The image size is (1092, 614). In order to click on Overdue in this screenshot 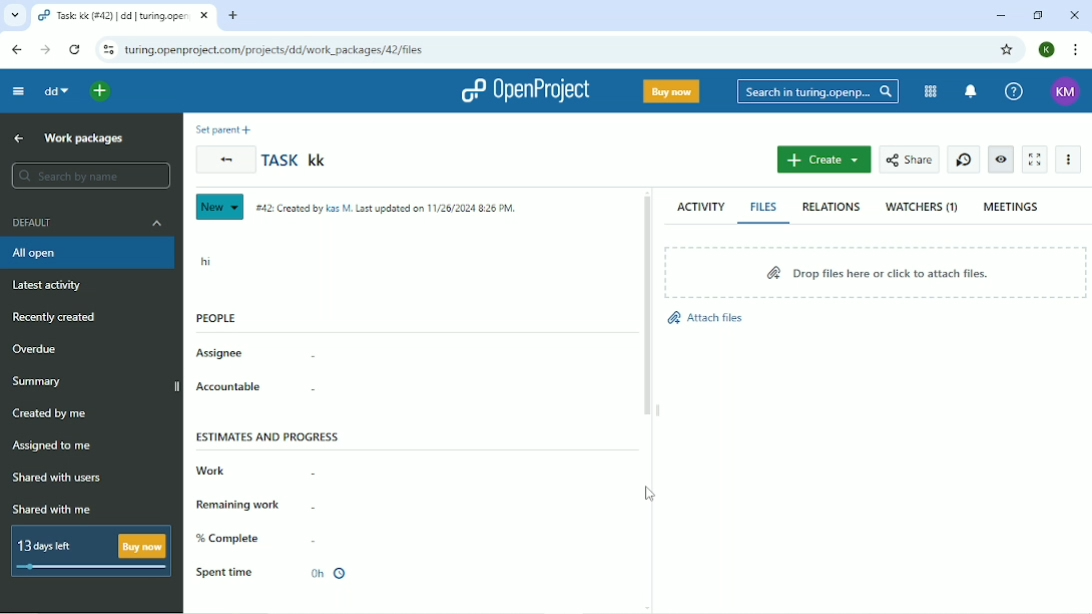, I will do `click(40, 349)`.